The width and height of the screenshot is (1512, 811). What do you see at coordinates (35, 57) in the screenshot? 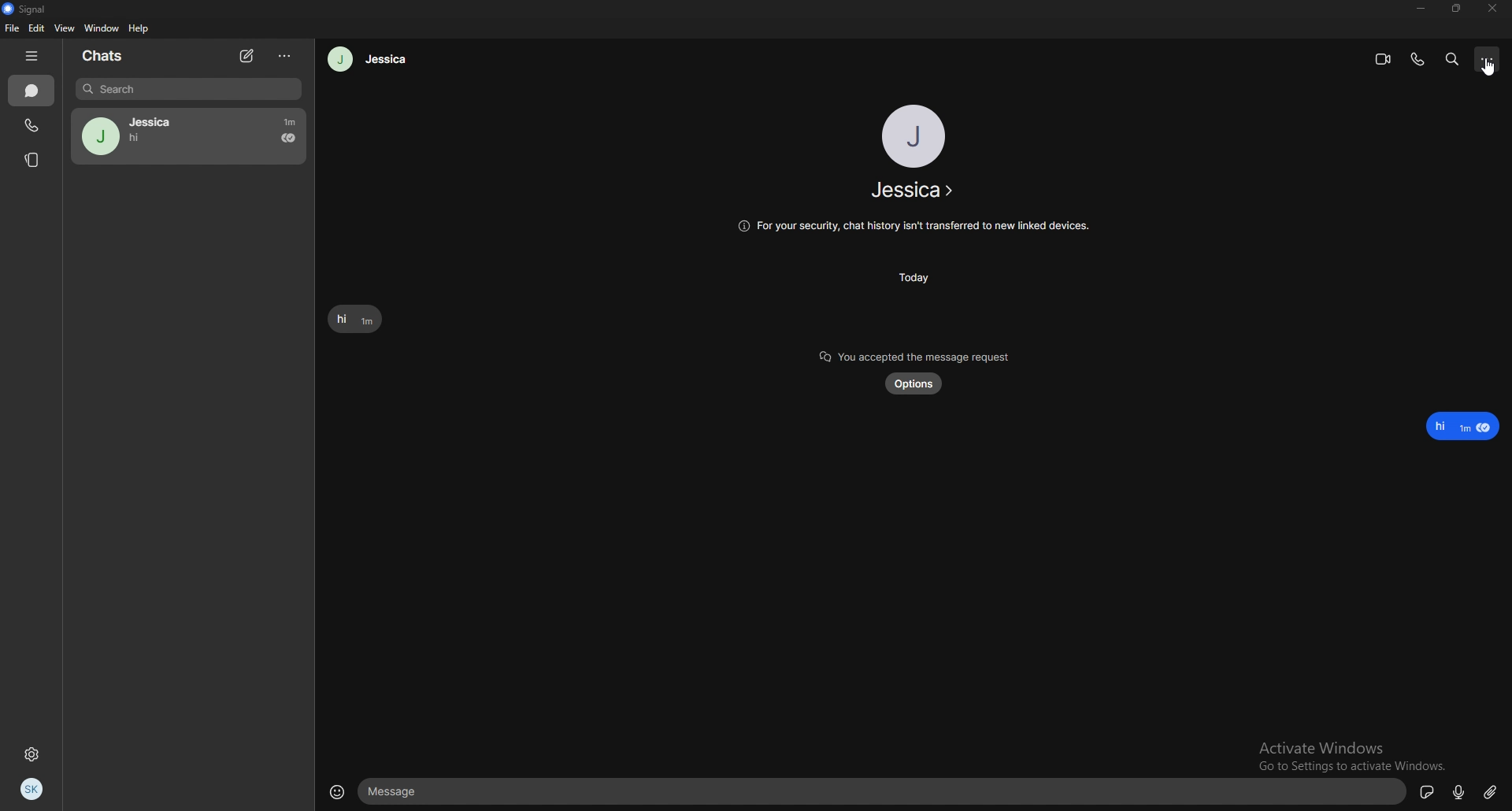
I see `hide tabs` at bounding box center [35, 57].